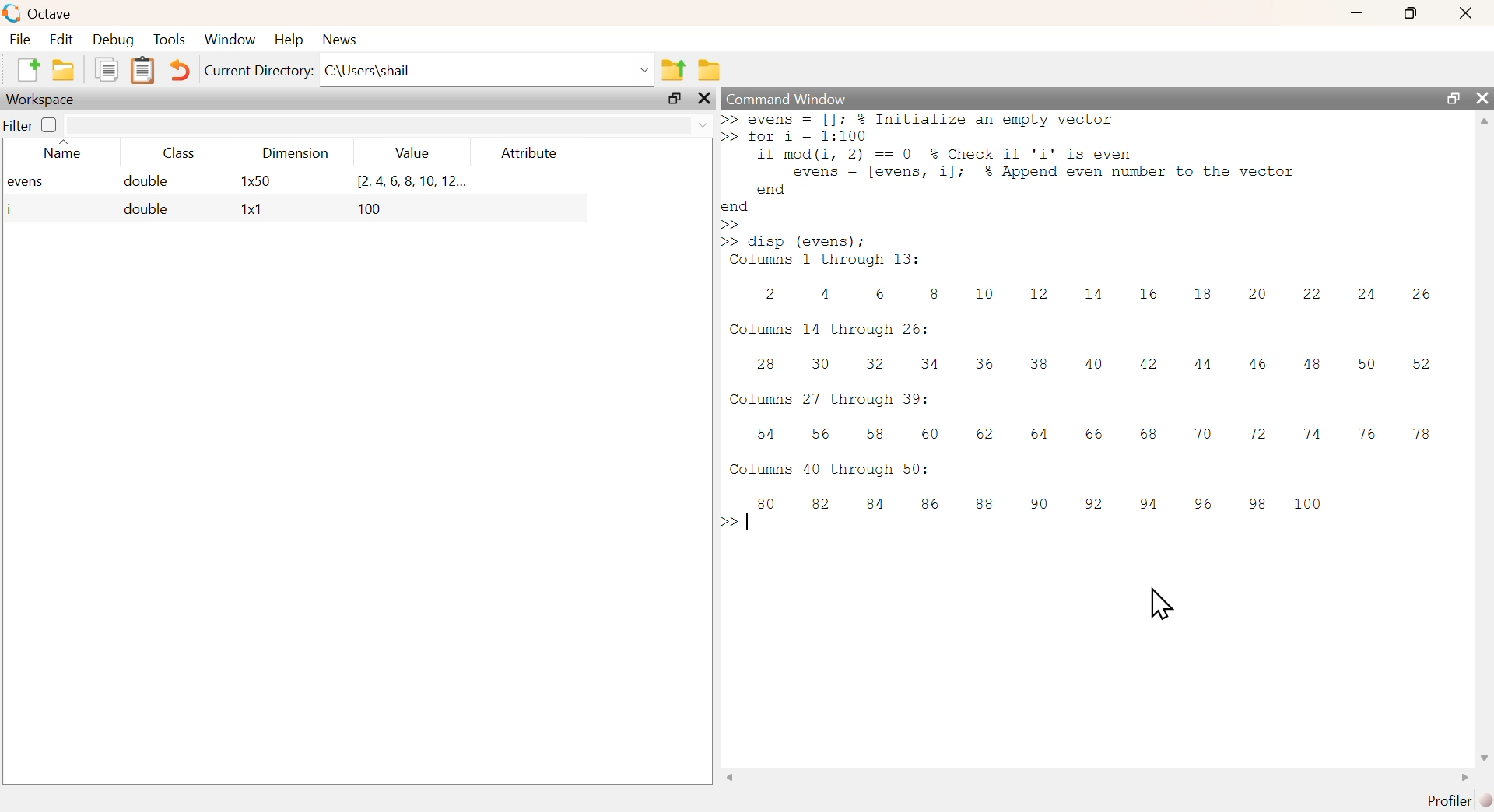 Image resolution: width=1494 pixels, height=812 pixels. I want to click on maximize, so click(670, 100).